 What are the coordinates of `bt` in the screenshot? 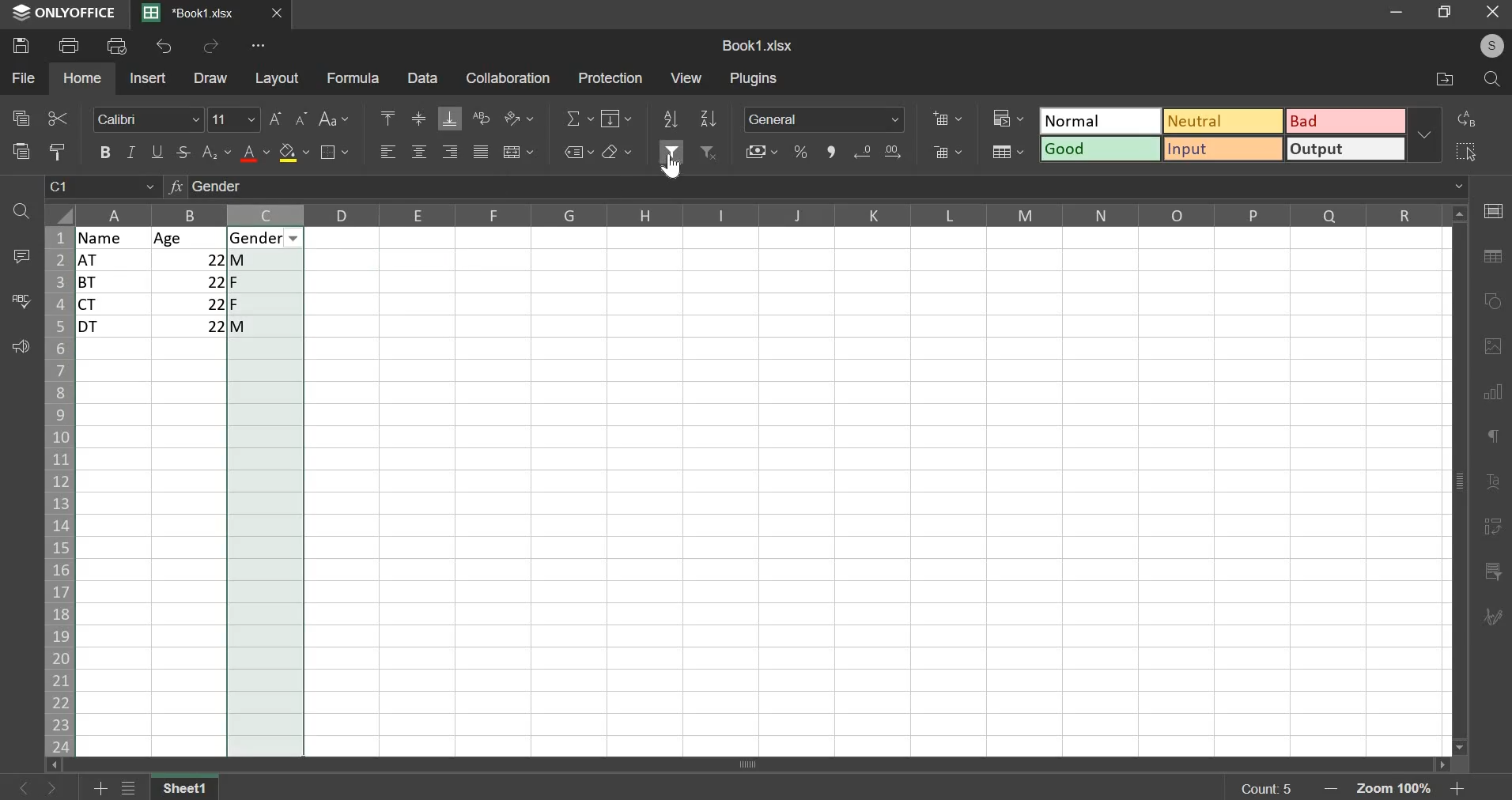 It's located at (112, 282).